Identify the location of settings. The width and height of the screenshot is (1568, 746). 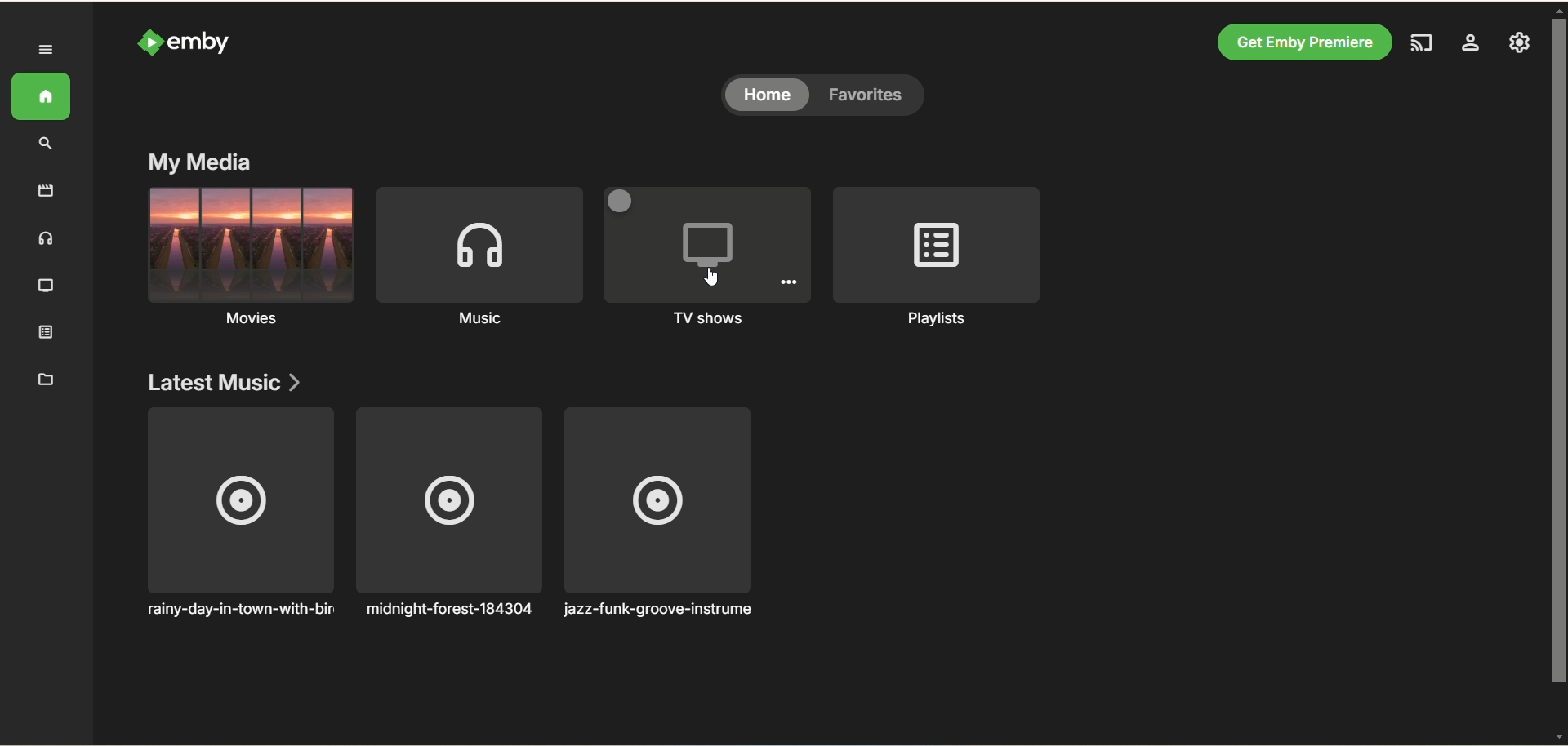
(1473, 43).